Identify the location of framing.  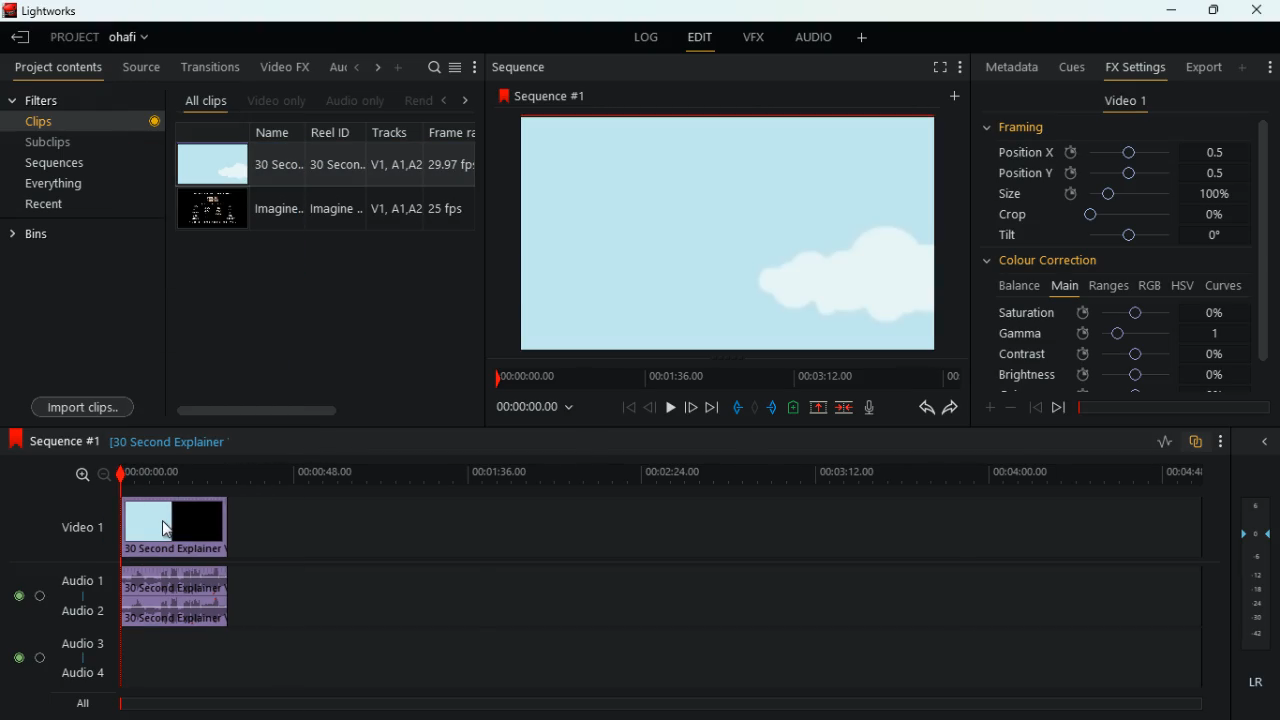
(1026, 129).